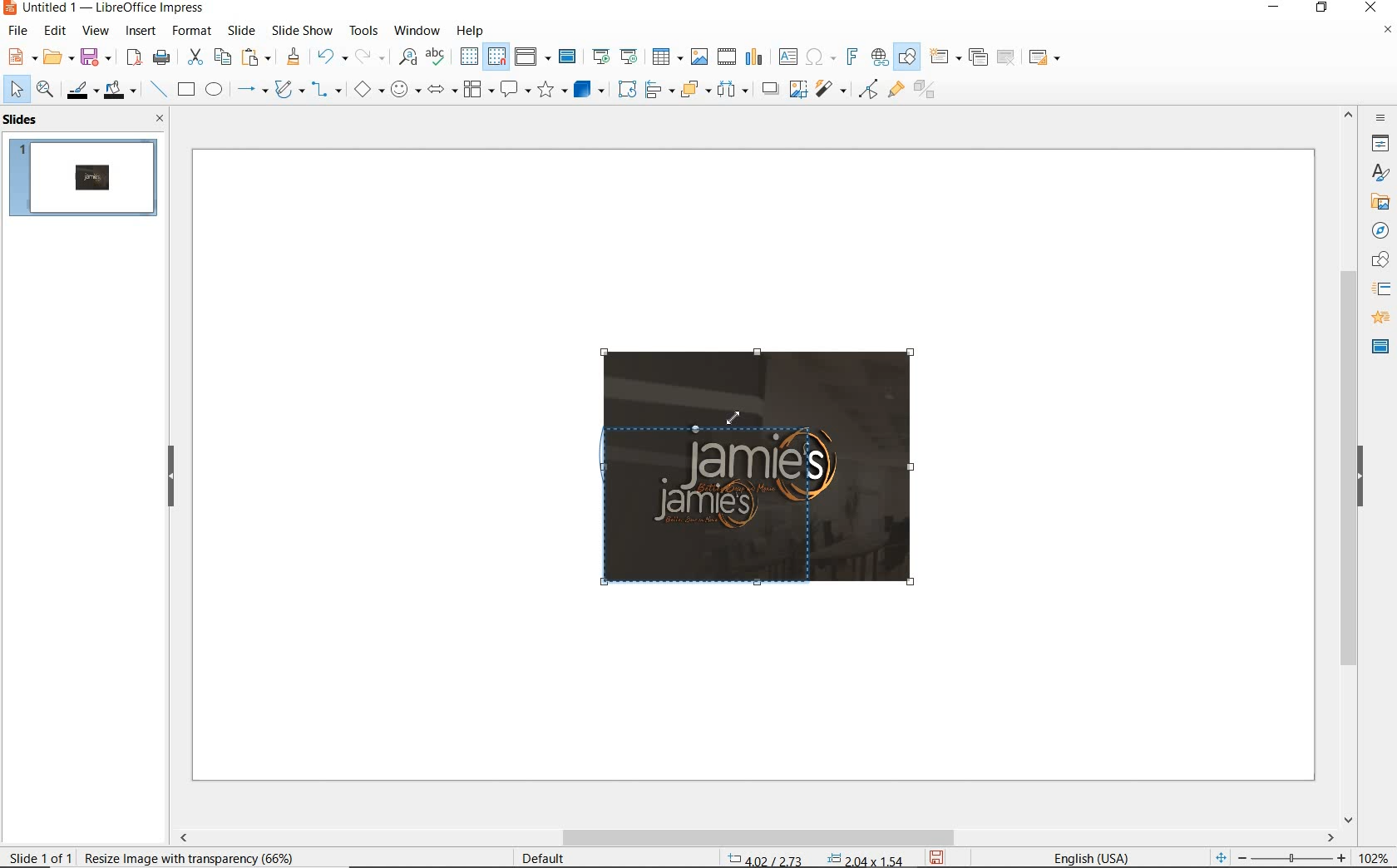  What do you see at coordinates (214, 91) in the screenshot?
I see `ellipse` at bounding box center [214, 91].